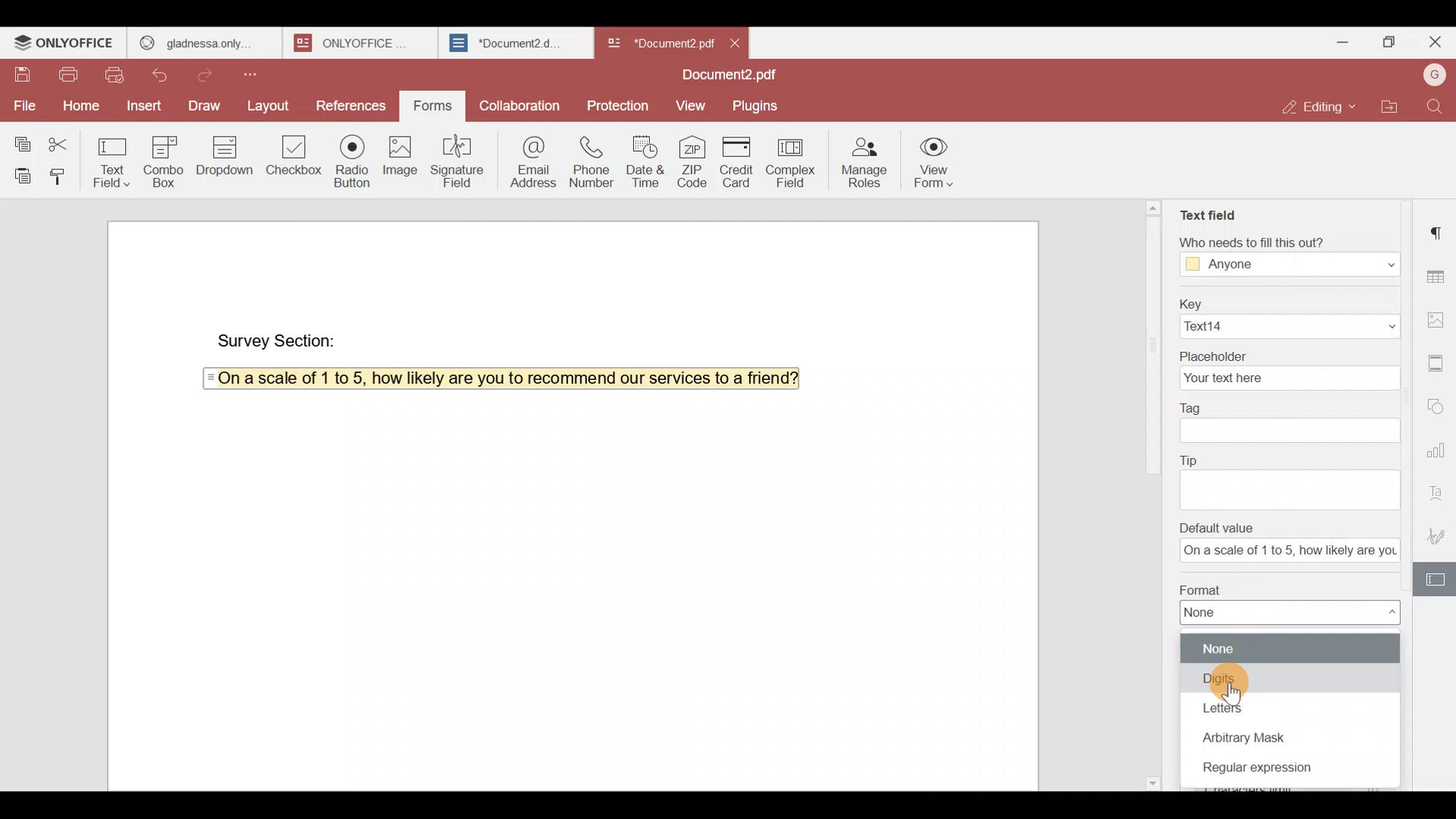 The width and height of the screenshot is (1456, 819). What do you see at coordinates (1293, 488) in the screenshot?
I see `text` at bounding box center [1293, 488].